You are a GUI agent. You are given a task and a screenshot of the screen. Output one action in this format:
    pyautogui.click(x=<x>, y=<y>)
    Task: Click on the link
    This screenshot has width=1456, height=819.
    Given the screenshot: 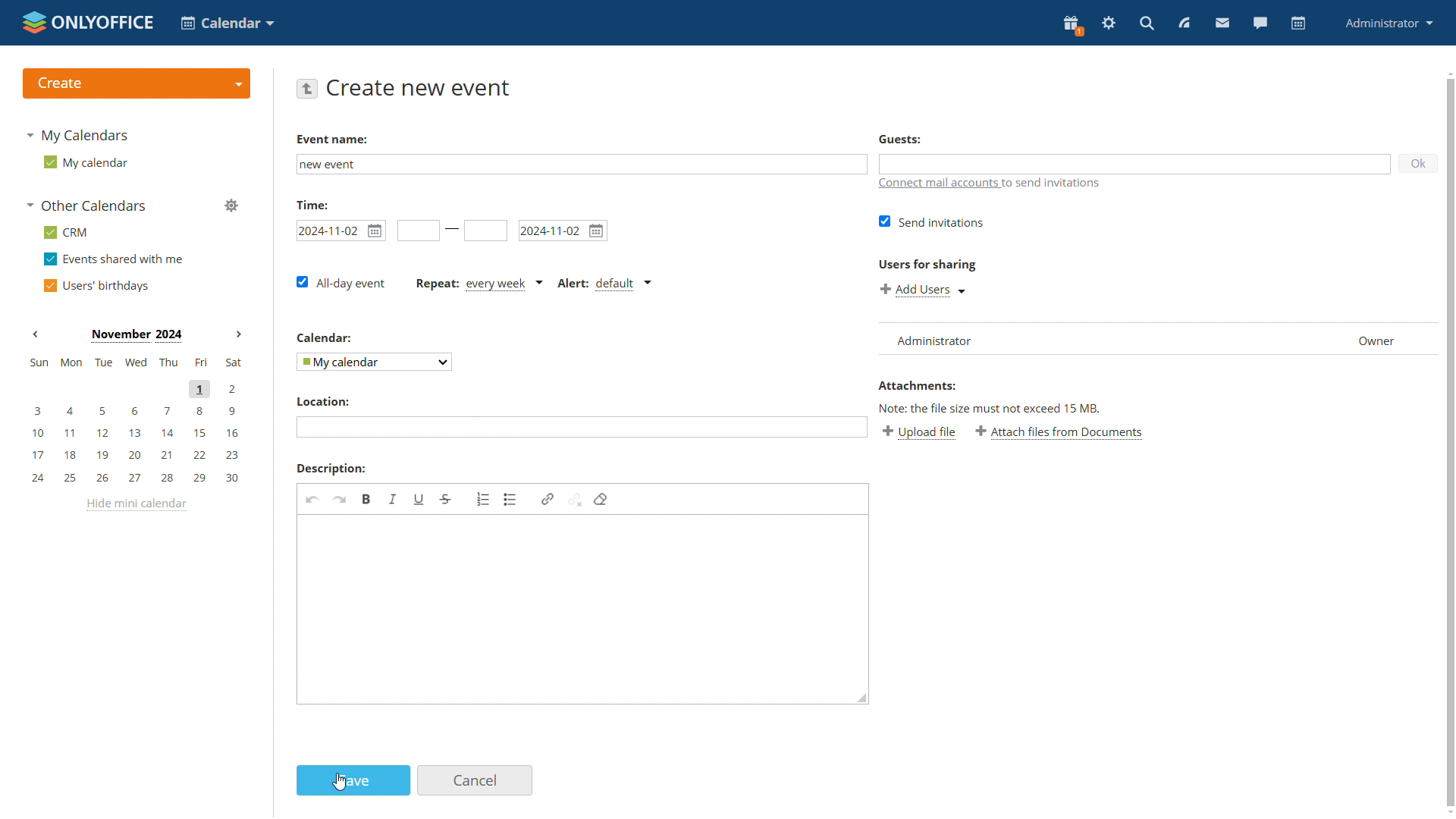 What is the action you would take?
    pyautogui.click(x=548, y=499)
    